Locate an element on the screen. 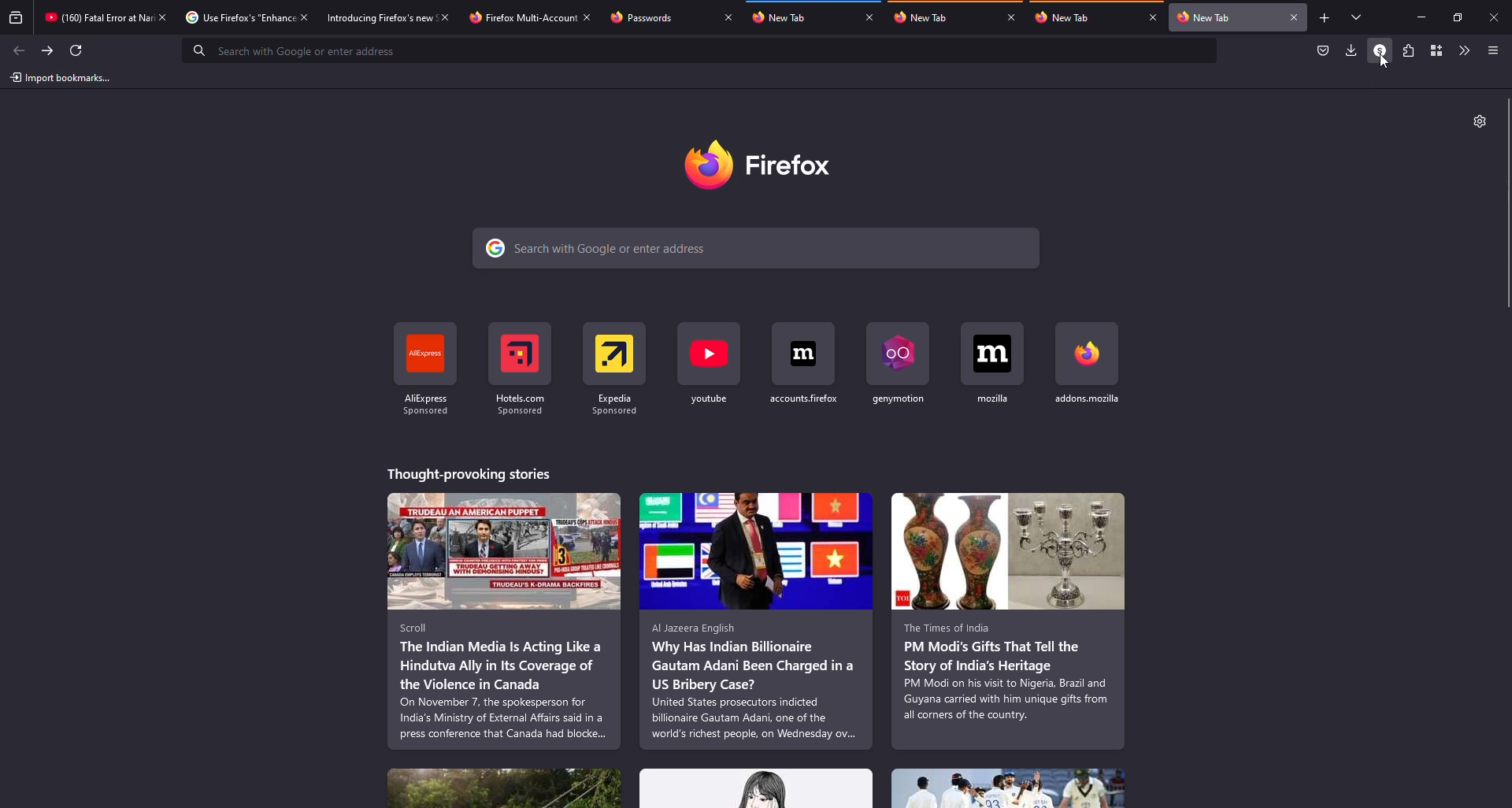 This screenshot has height=808, width=1512. search is located at coordinates (757, 246).